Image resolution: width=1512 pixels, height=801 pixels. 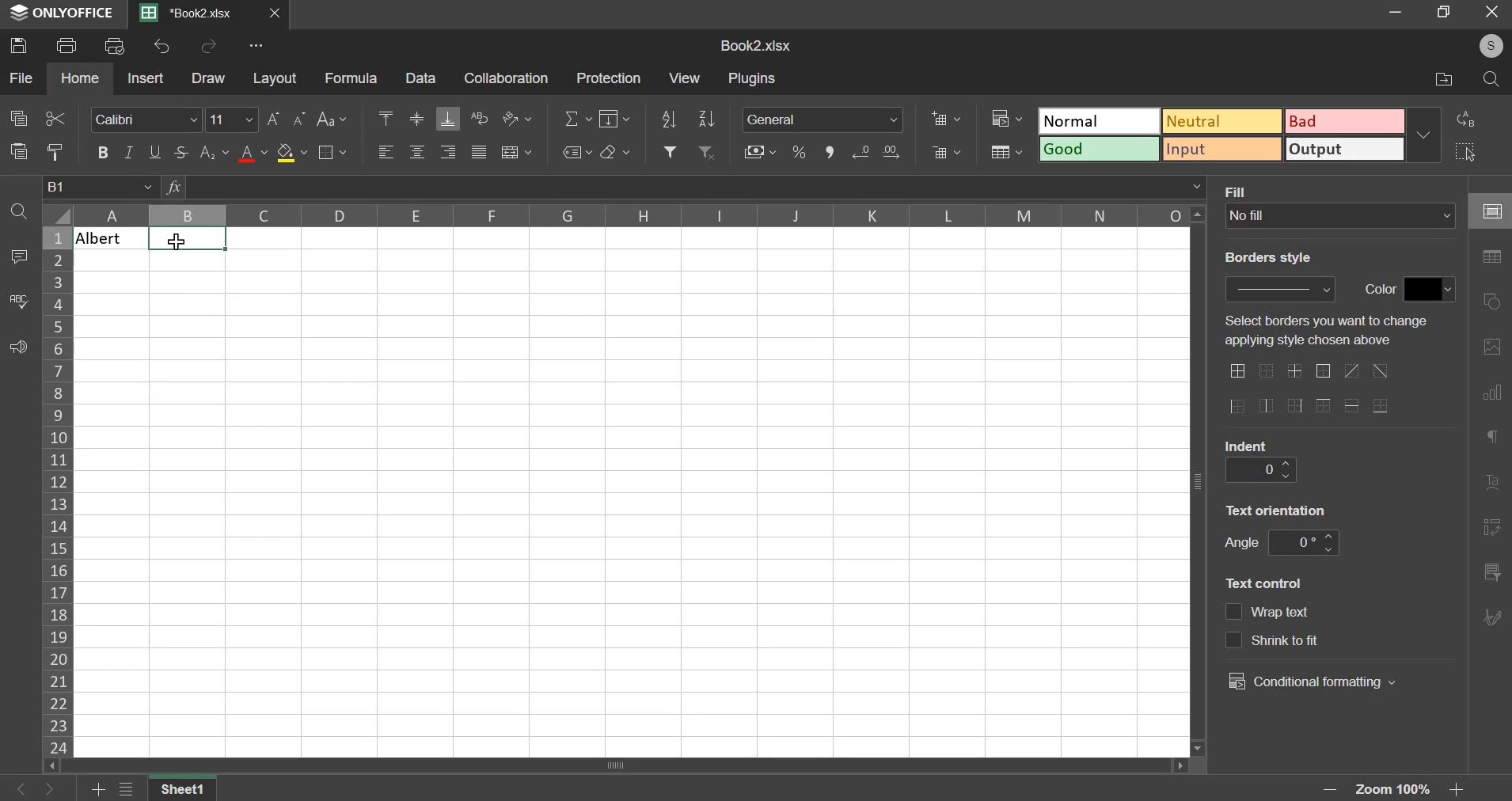 What do you see at coordinates (1495, 618) in the screenshot?
I see `` at bounding box center [1495, 618].